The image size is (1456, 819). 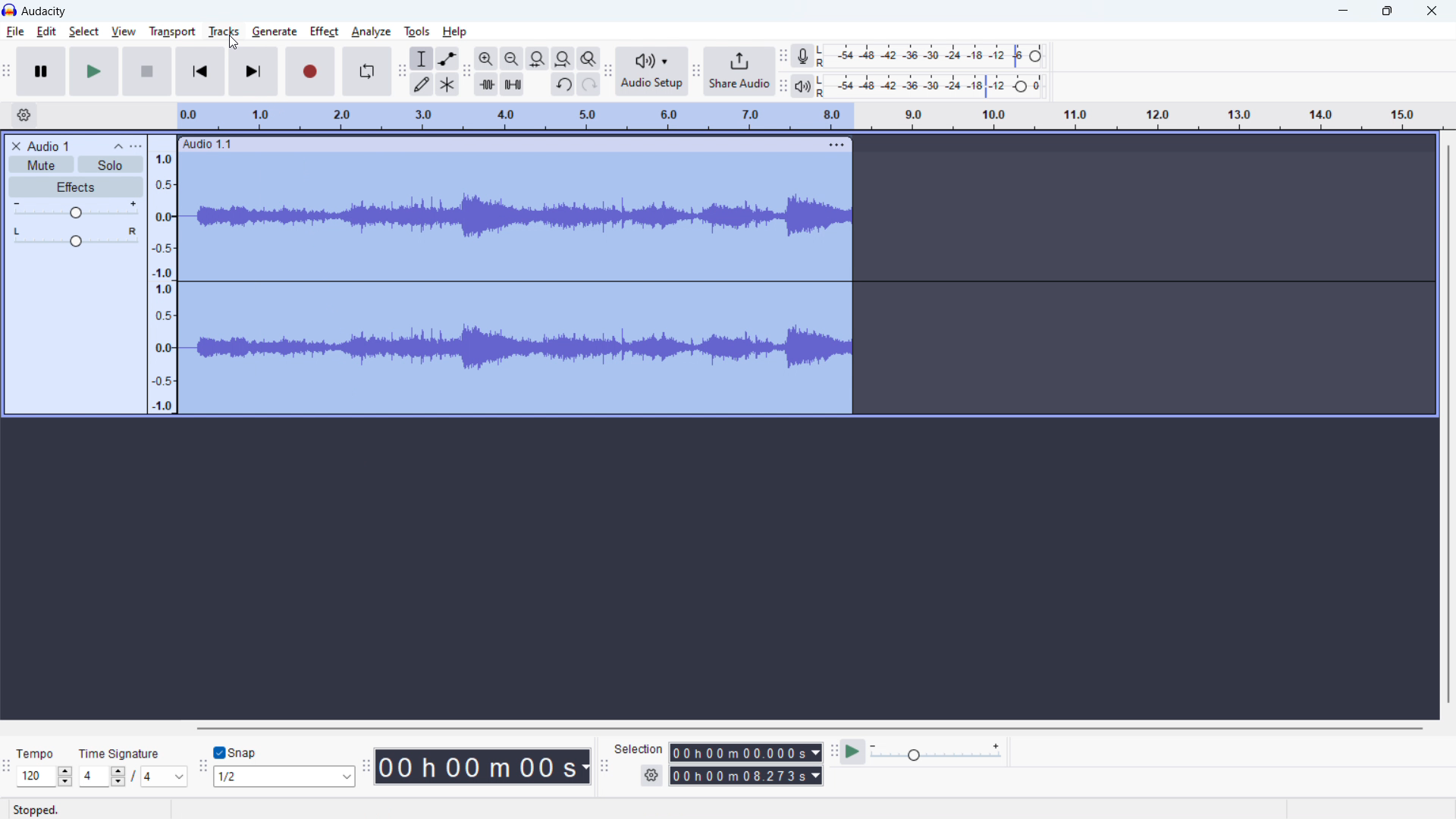 What do you see at coordinates (854, 751) in the screenshot?
I see `play at speed` at bounding box center [854, 751].